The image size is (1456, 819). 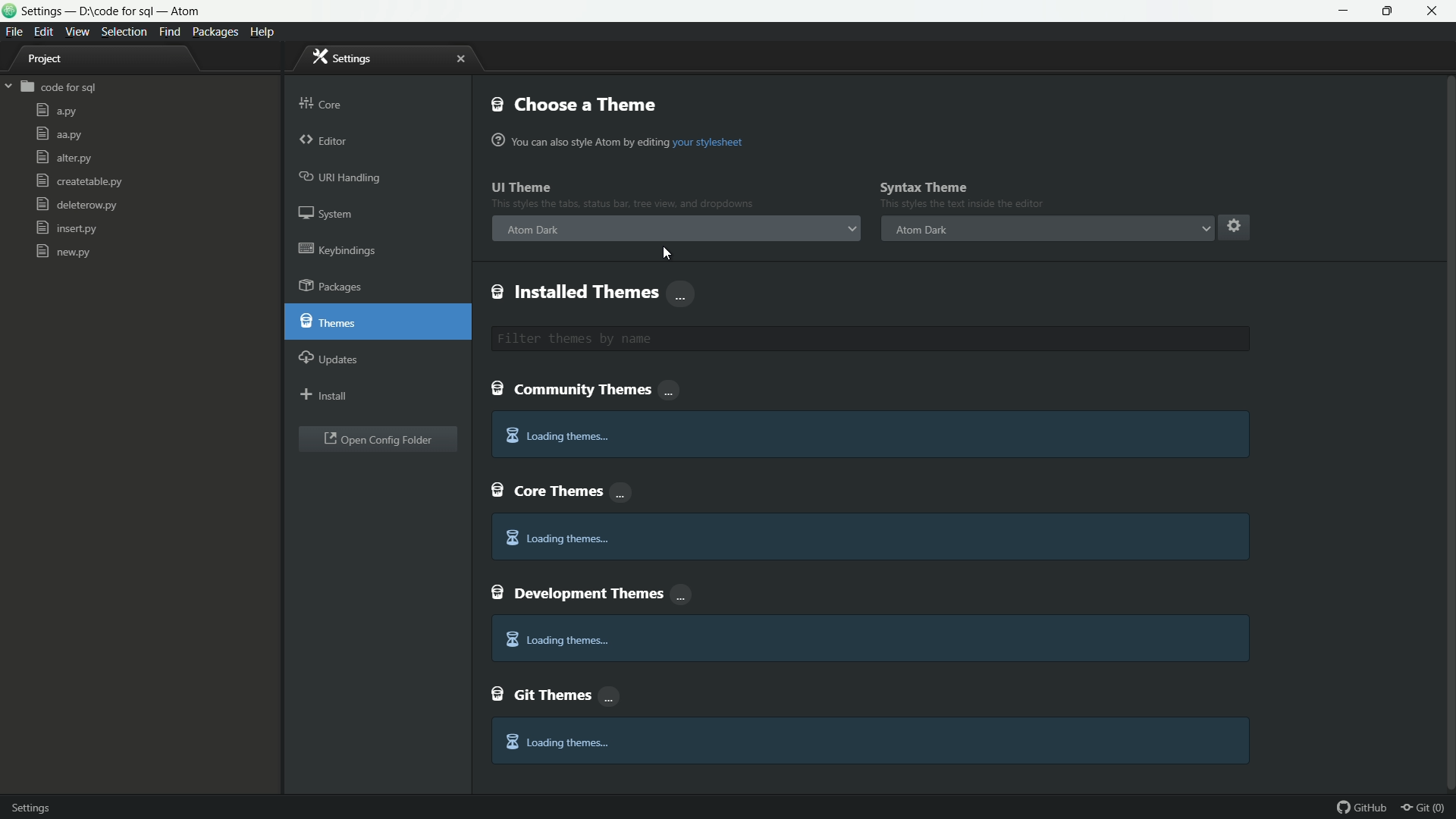 I want to click on atom dark, so click(x=919, y=230).